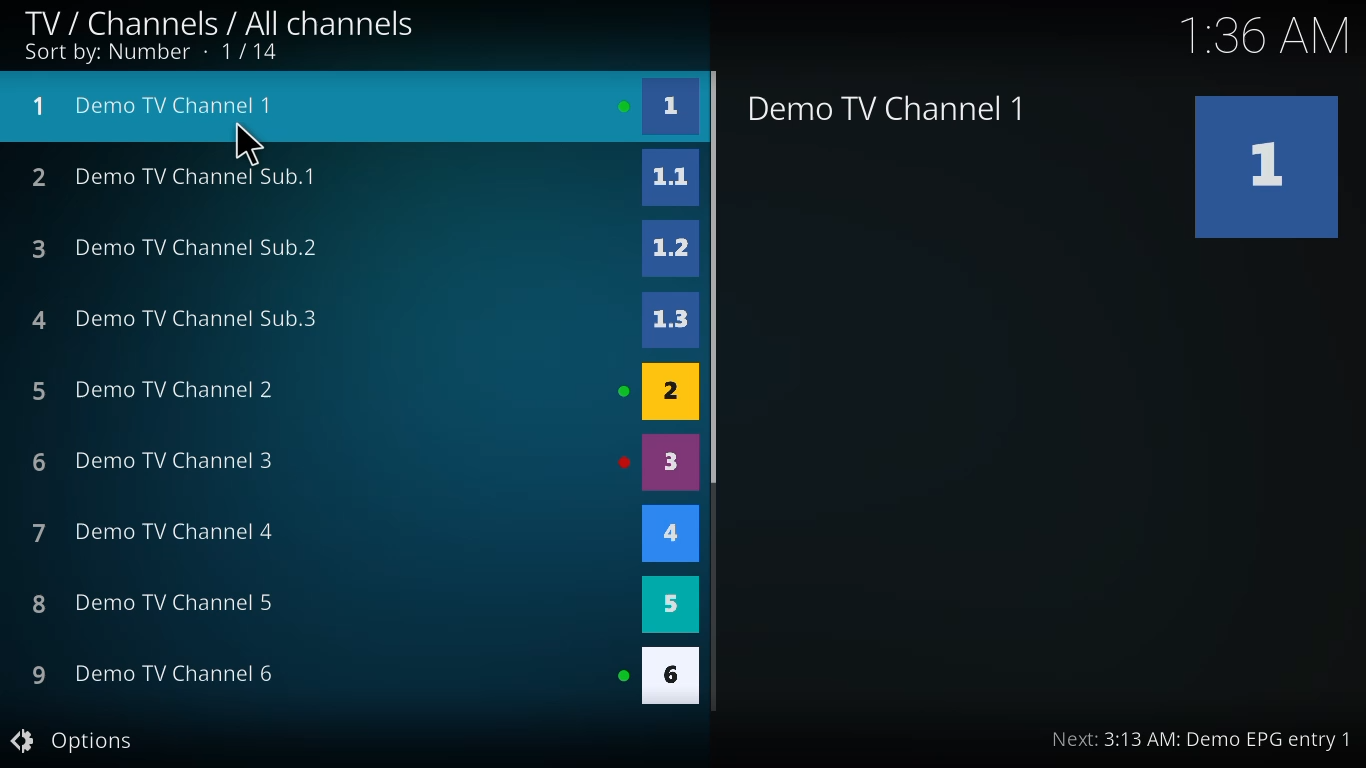 The height and width of the screenshot is (768, 1366). Describe the element at coordinates (714, 275) in the screenshot. I see `scroll bar` at that location.